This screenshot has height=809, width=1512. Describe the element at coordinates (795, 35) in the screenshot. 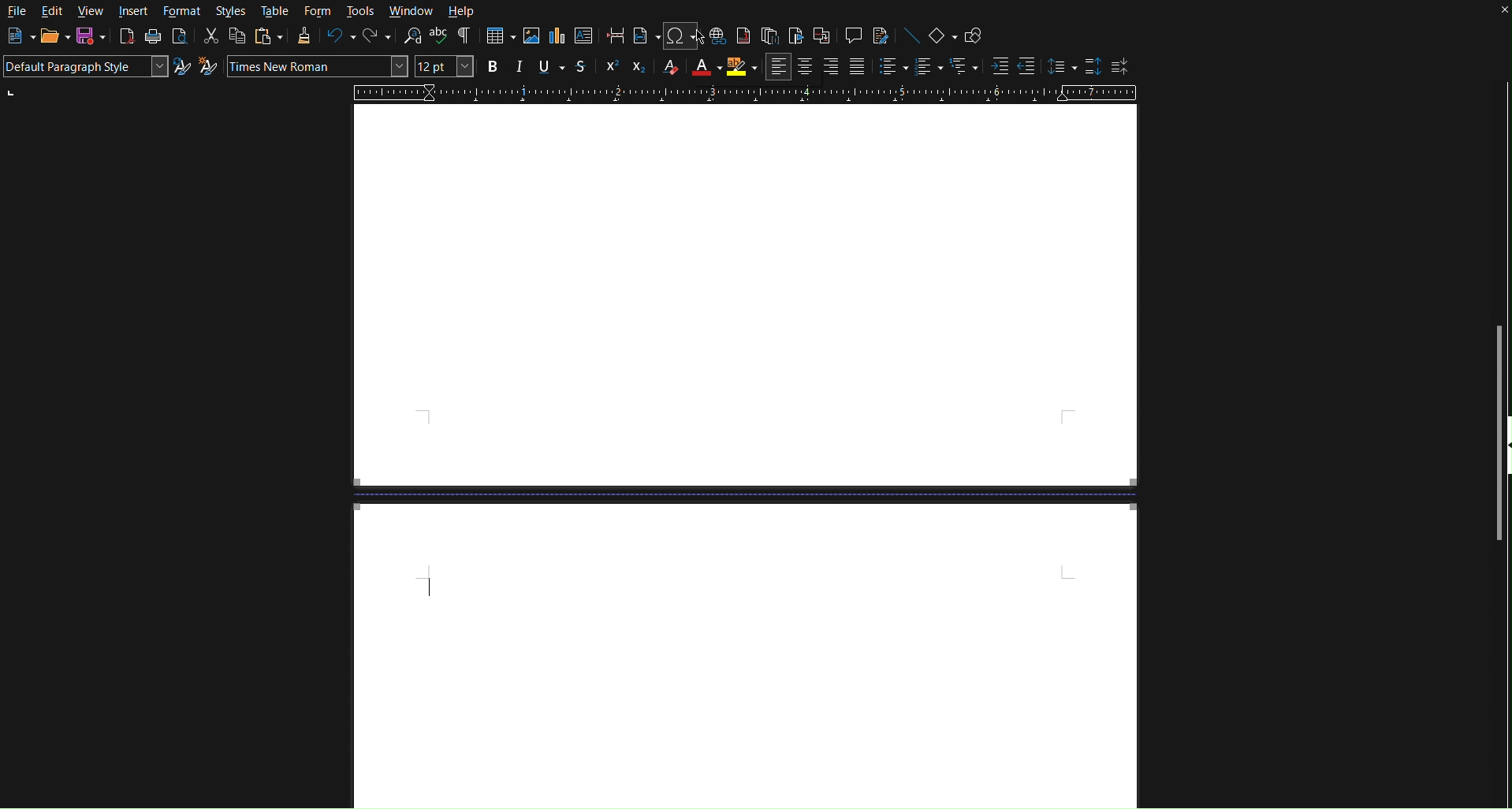

I see `Insert Bookmark` at that location.